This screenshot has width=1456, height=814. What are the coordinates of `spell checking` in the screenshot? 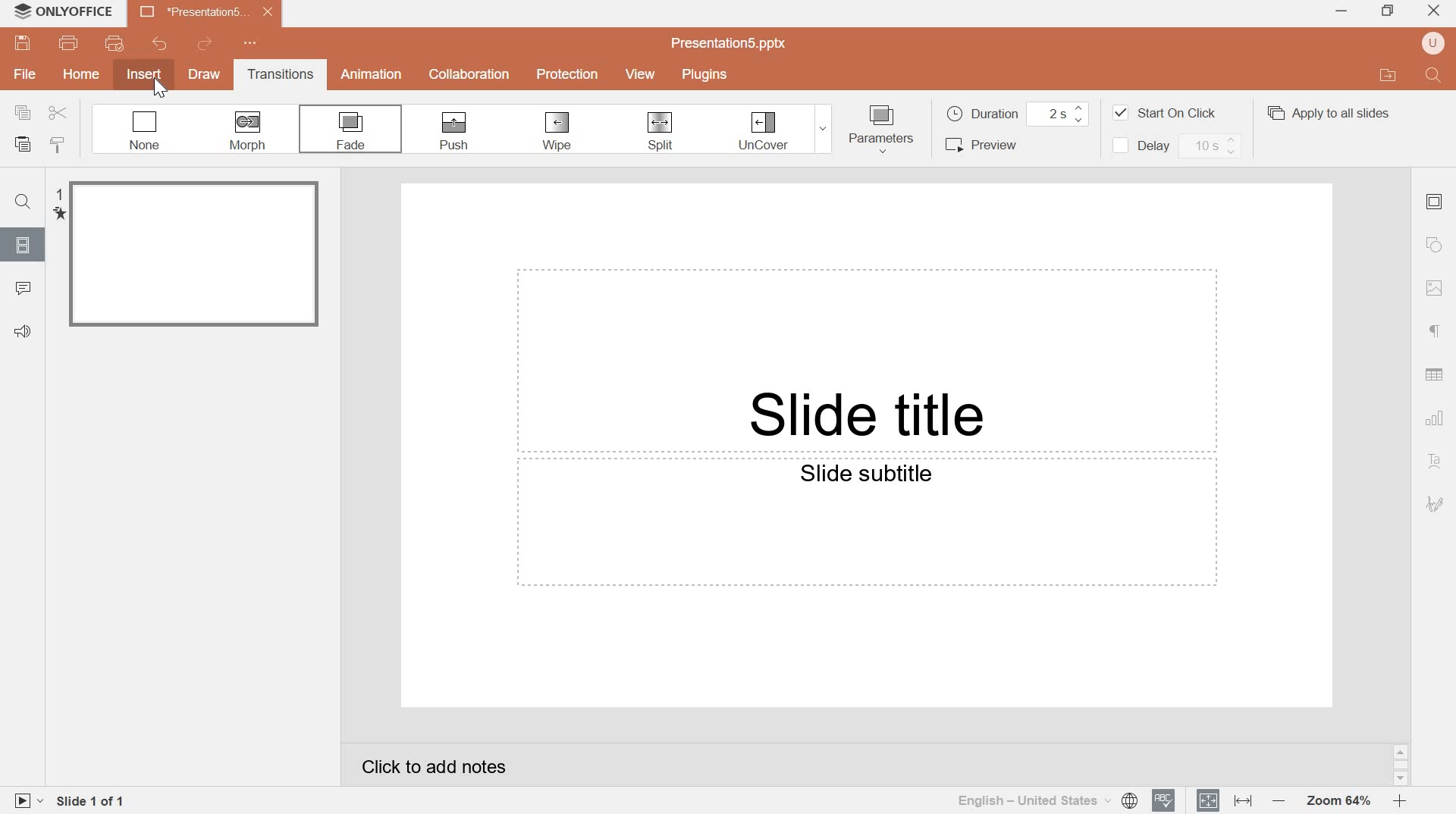 It's located at (1164, 800).